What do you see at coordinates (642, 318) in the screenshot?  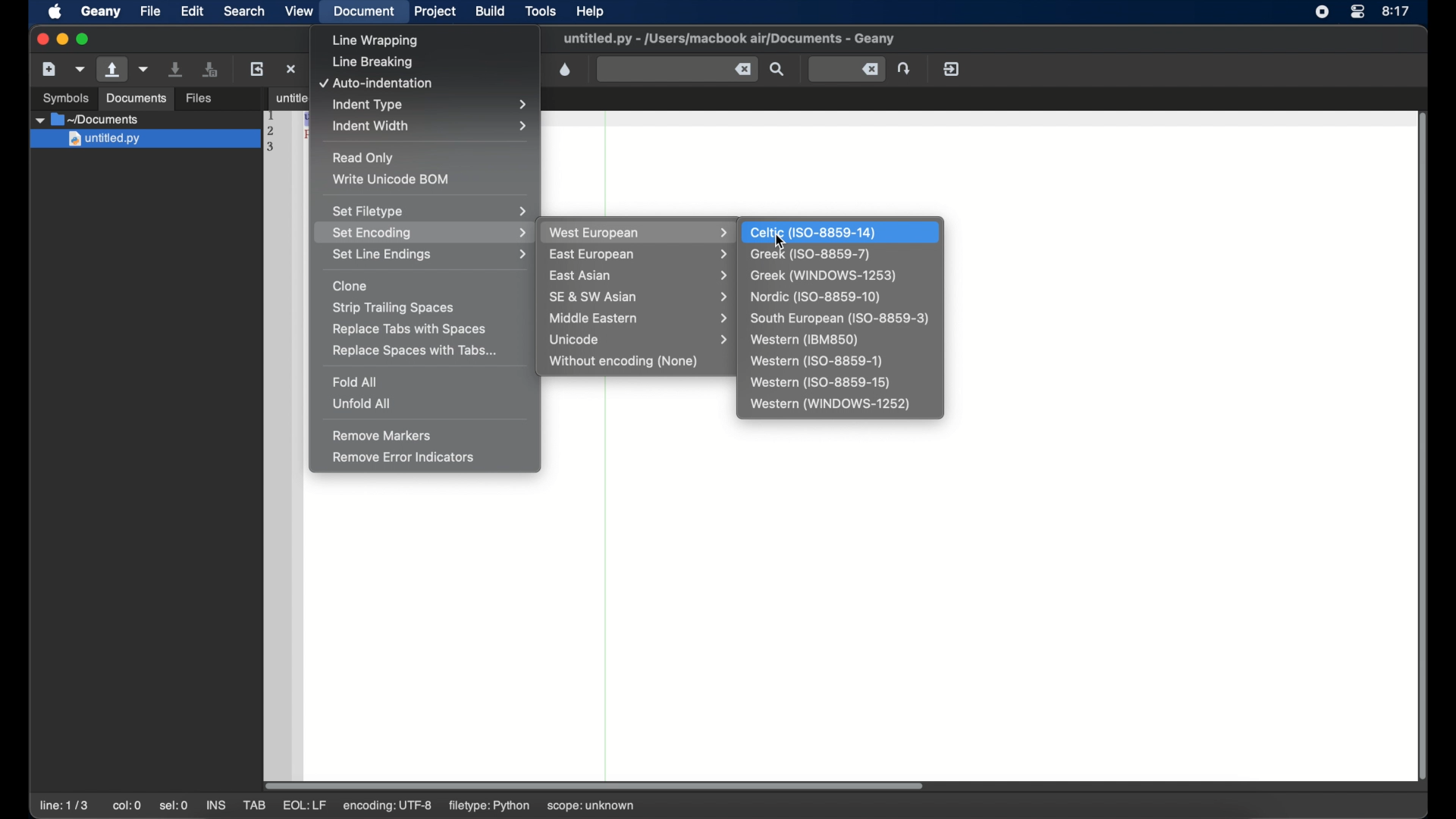 I see `middle eastern menu` at bounding box center [642, 318].